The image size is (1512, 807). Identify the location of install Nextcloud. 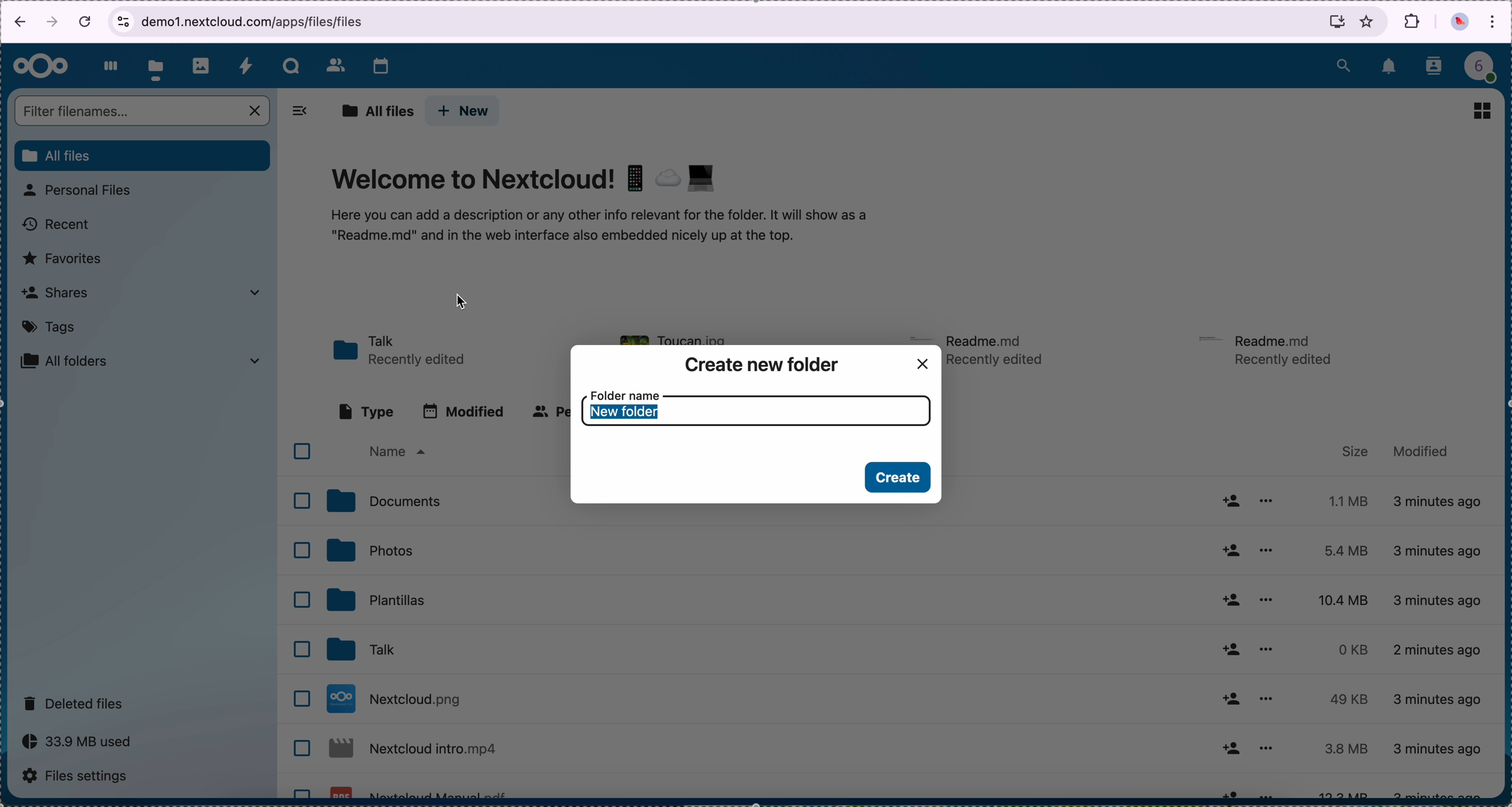
(1337, 24).